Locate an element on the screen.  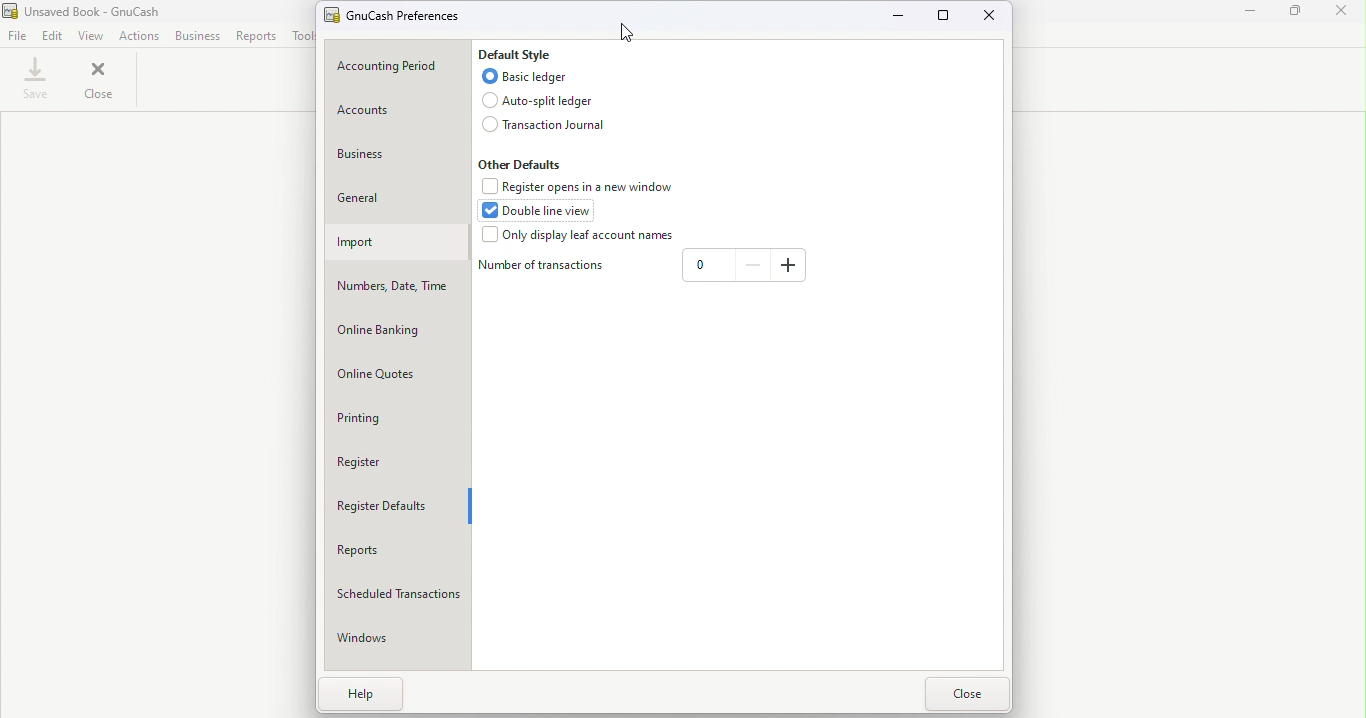
file name is located at coordinates (82, 12).